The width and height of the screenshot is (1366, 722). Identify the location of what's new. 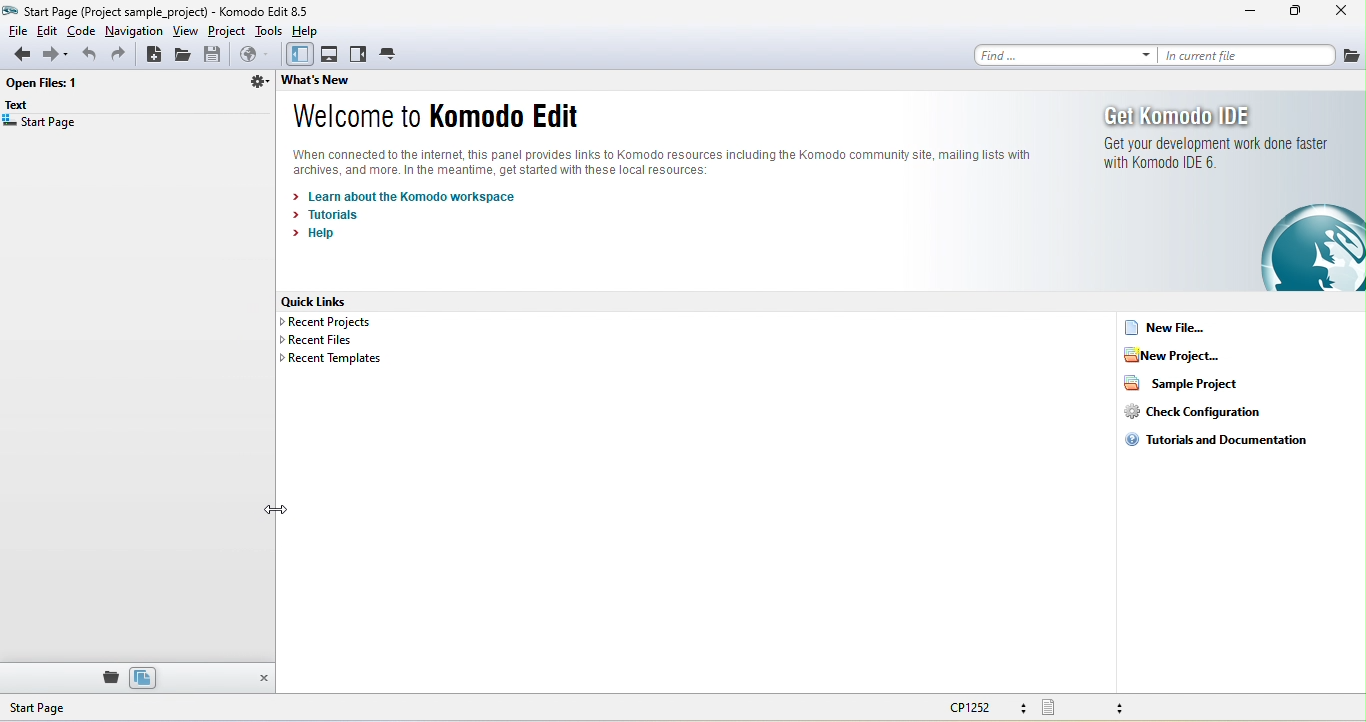
(340, 83).